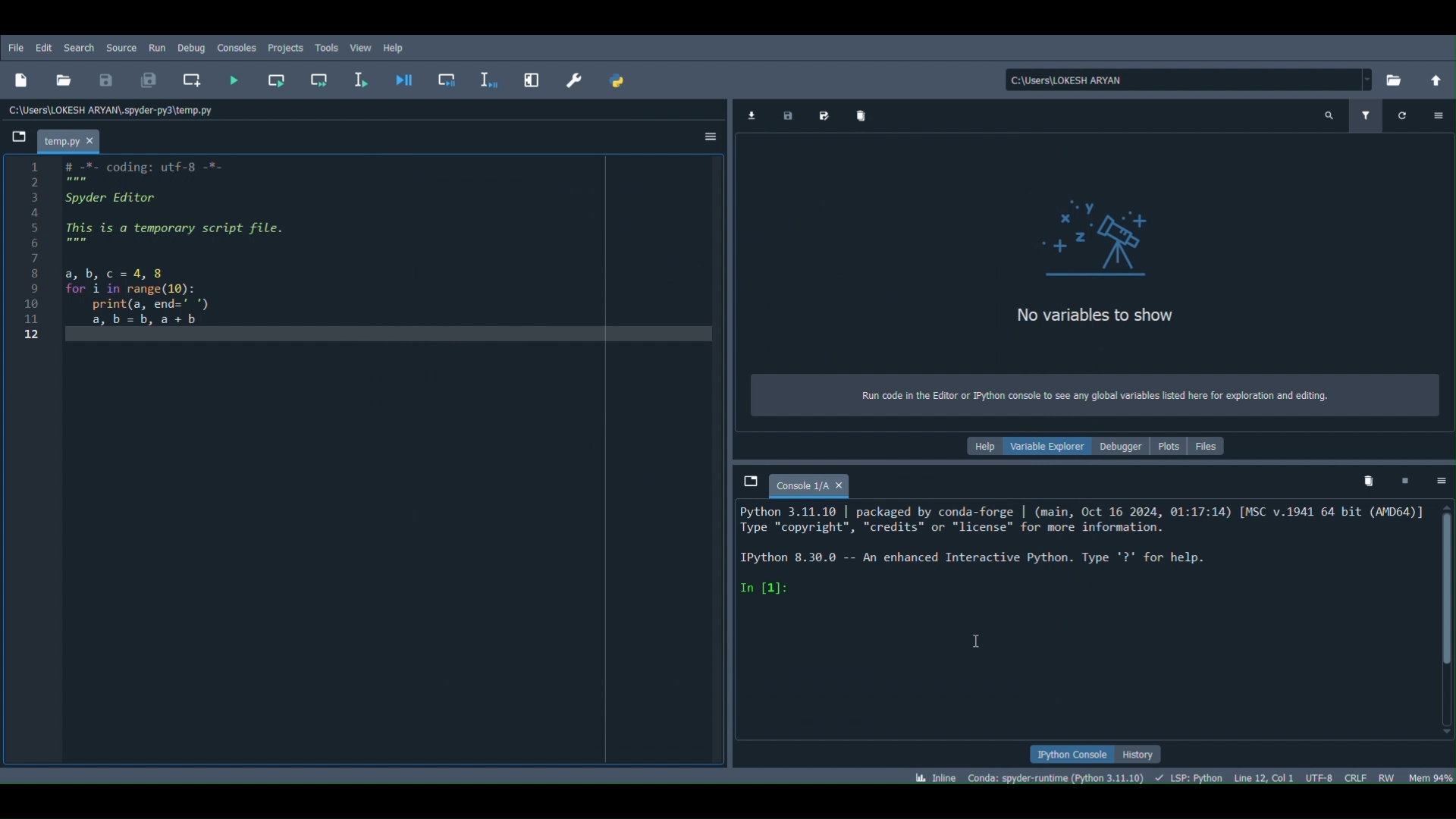  Describe the element at coordinates (1122, 447) in the screenshot. I see `Debugger` at that location.